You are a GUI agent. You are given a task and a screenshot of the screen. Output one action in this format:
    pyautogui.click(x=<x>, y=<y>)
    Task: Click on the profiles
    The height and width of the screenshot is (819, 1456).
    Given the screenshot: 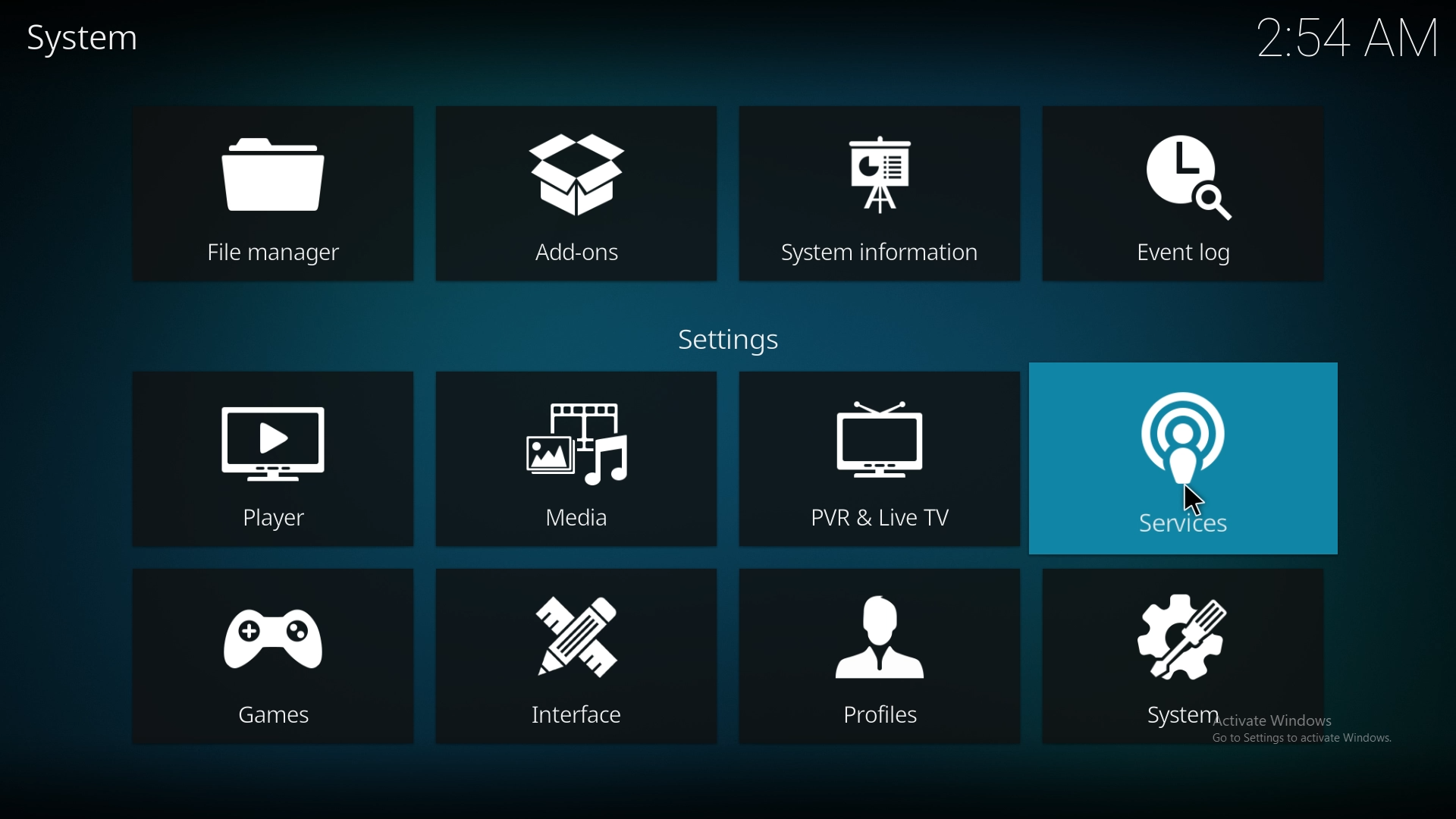 What is the action you would take?
    pyautogui.click(x=884, y=657)
    